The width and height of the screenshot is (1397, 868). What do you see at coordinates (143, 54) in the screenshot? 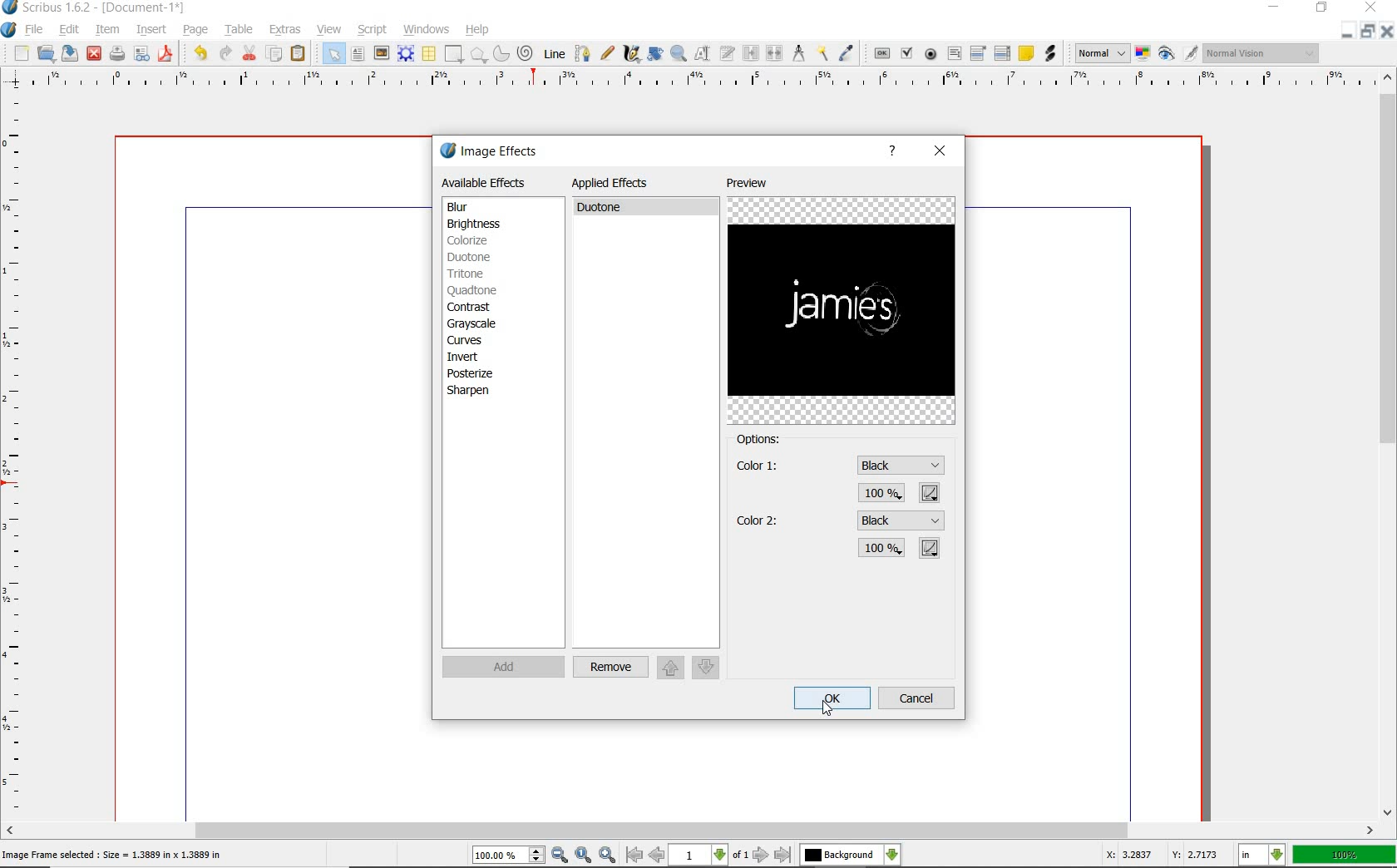
I see `preflight verifier` at bounding box center [143, 54].